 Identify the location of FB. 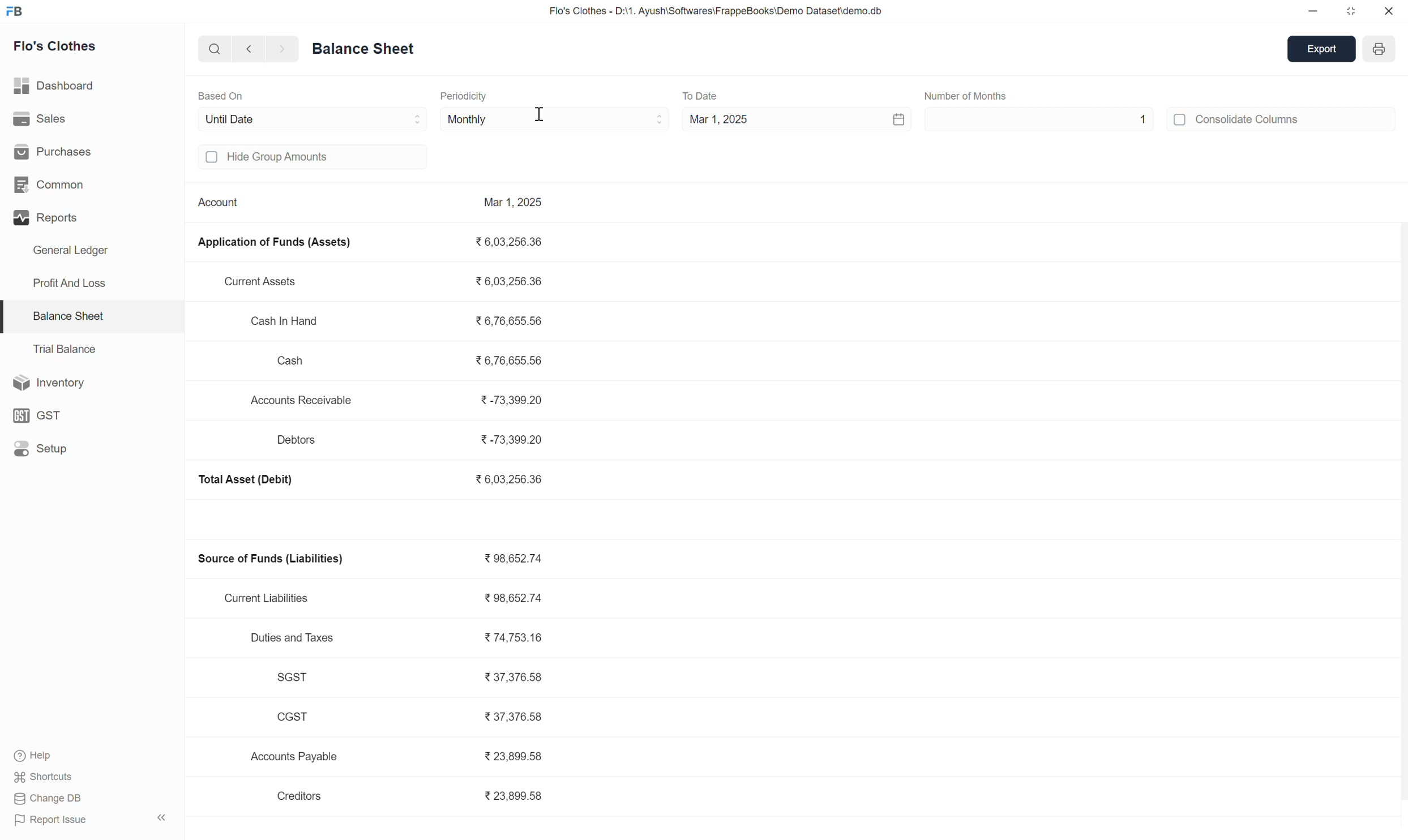
(16, 11).